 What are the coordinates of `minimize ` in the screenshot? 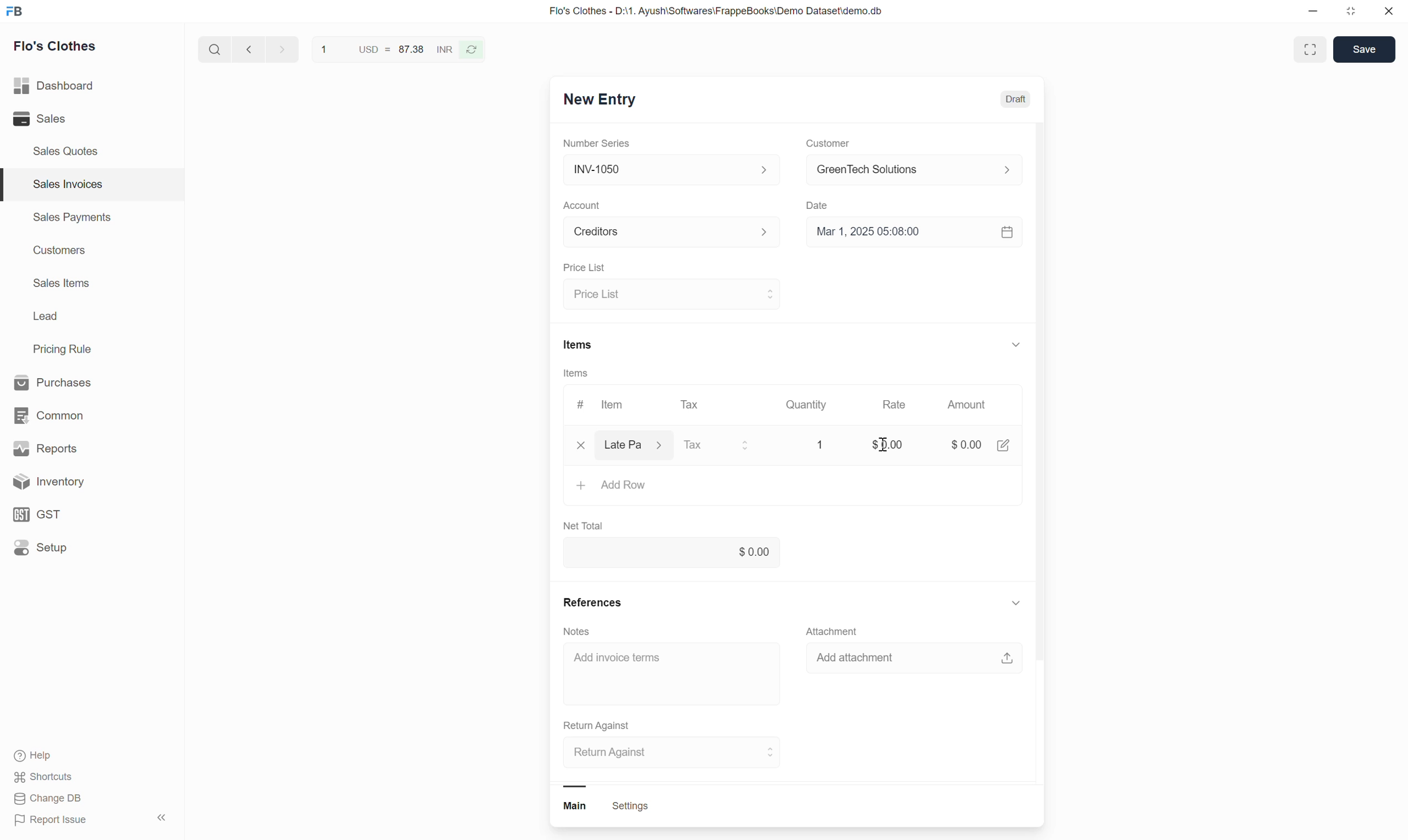 It's located at (1318, 12).